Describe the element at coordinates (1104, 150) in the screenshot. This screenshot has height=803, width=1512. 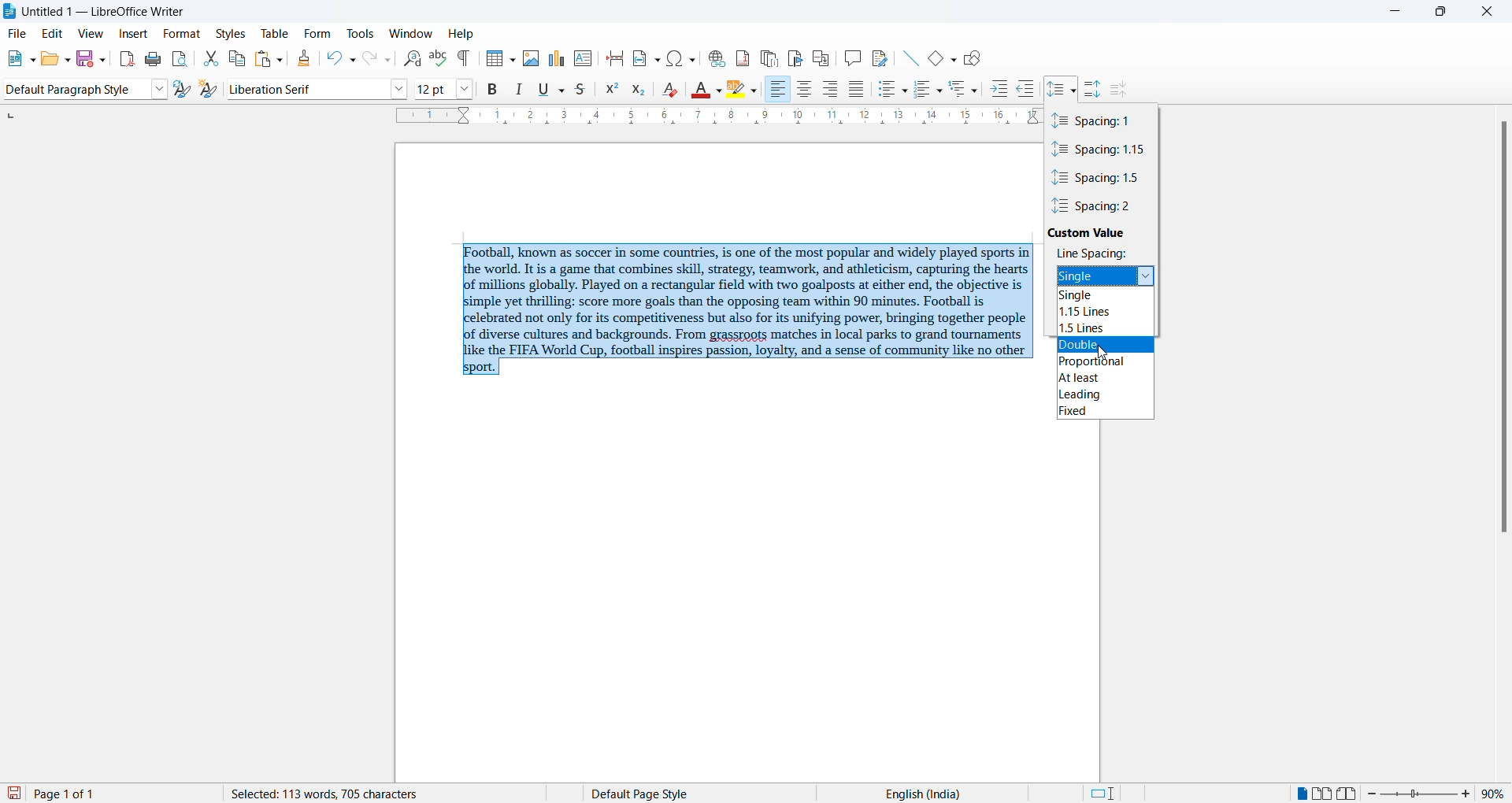
I see `spacing value 1.1.5` at that location.